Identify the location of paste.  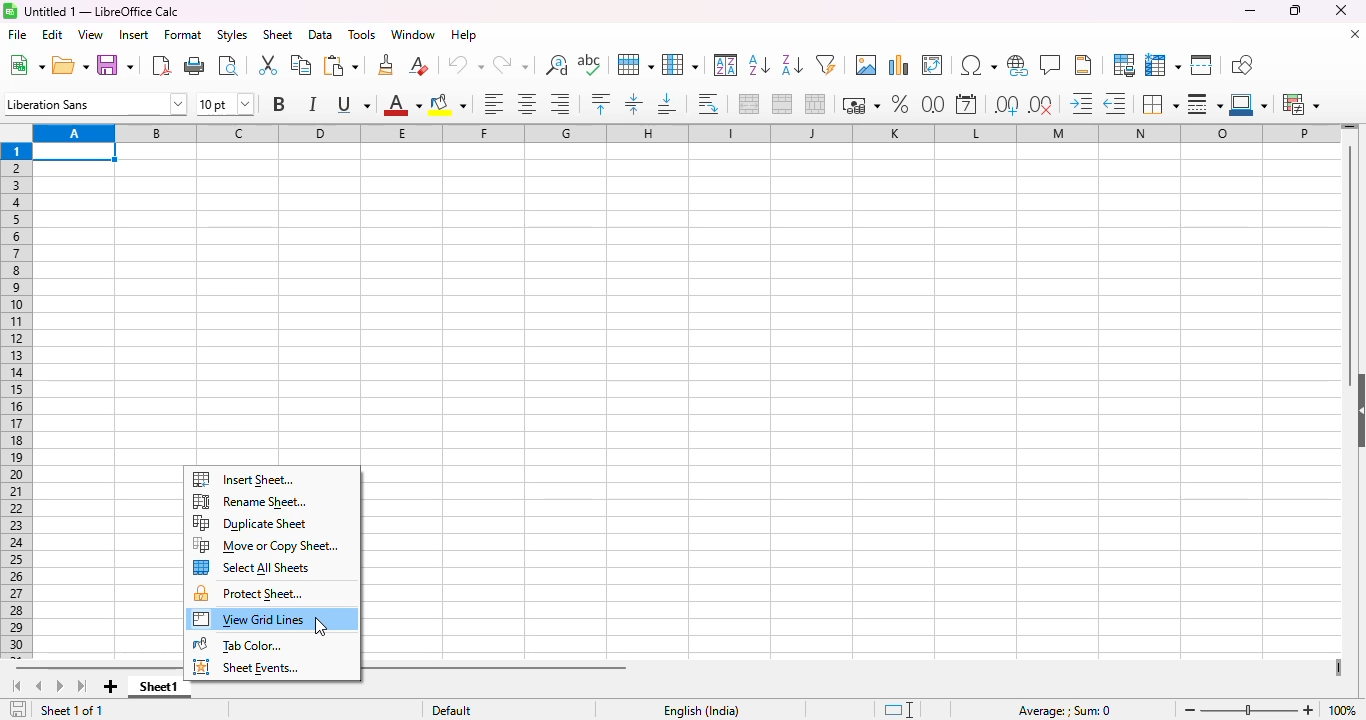
(342, 65).